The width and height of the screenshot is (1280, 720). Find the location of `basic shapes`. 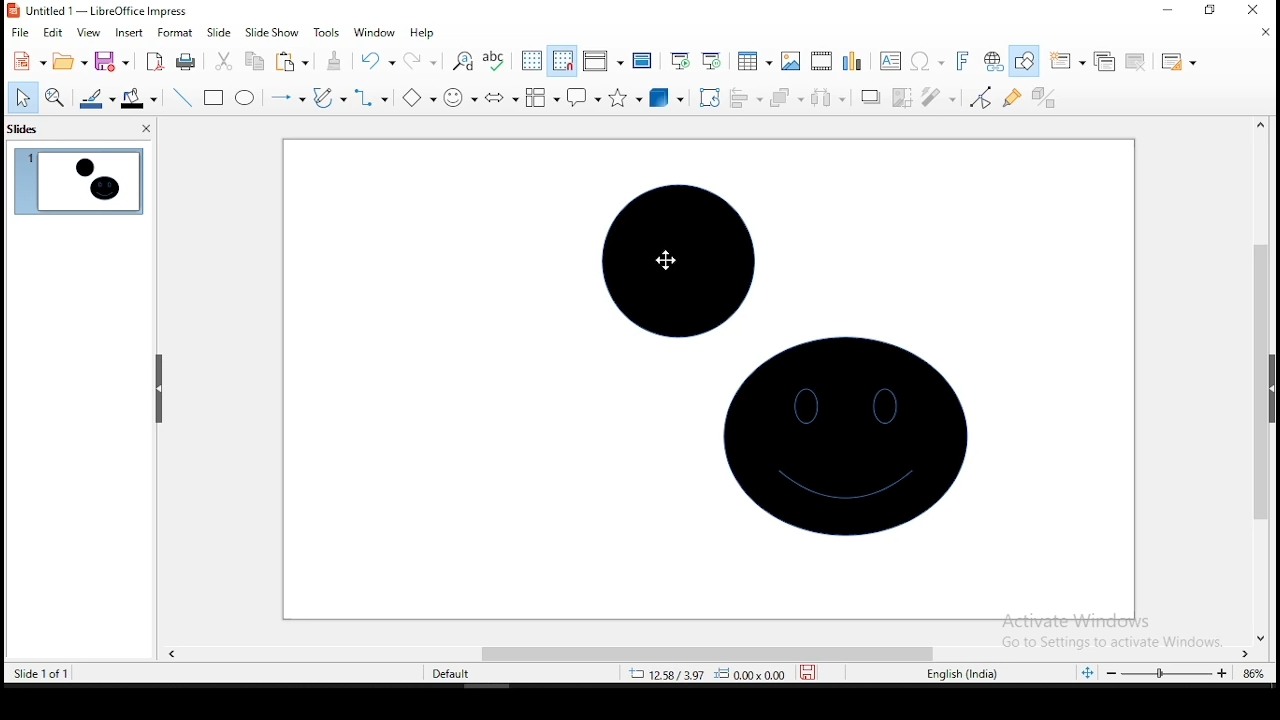

basic shapes is located at coordinates (416, 97).